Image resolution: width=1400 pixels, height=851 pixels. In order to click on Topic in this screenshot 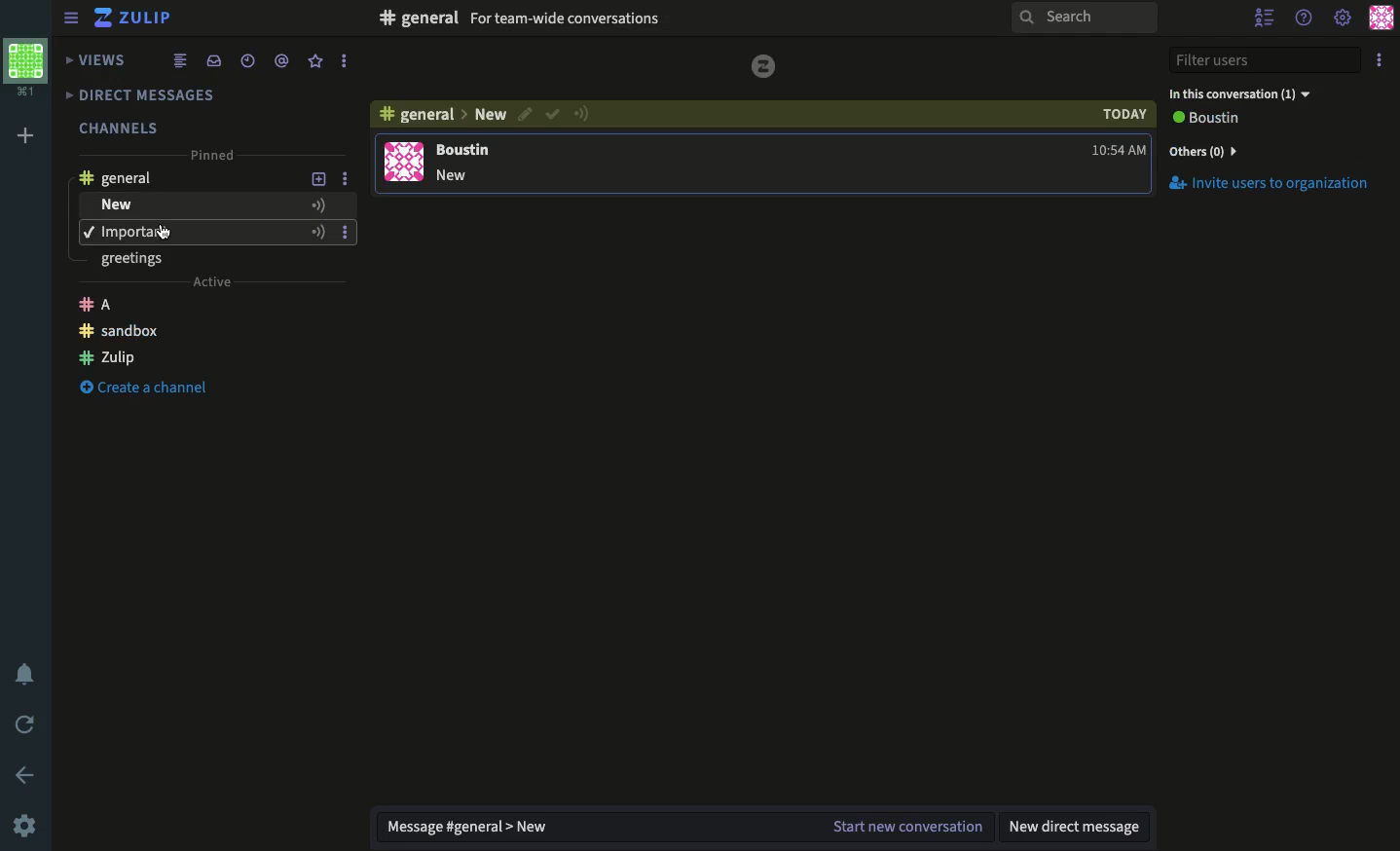, I will do `click(492, 115)`.